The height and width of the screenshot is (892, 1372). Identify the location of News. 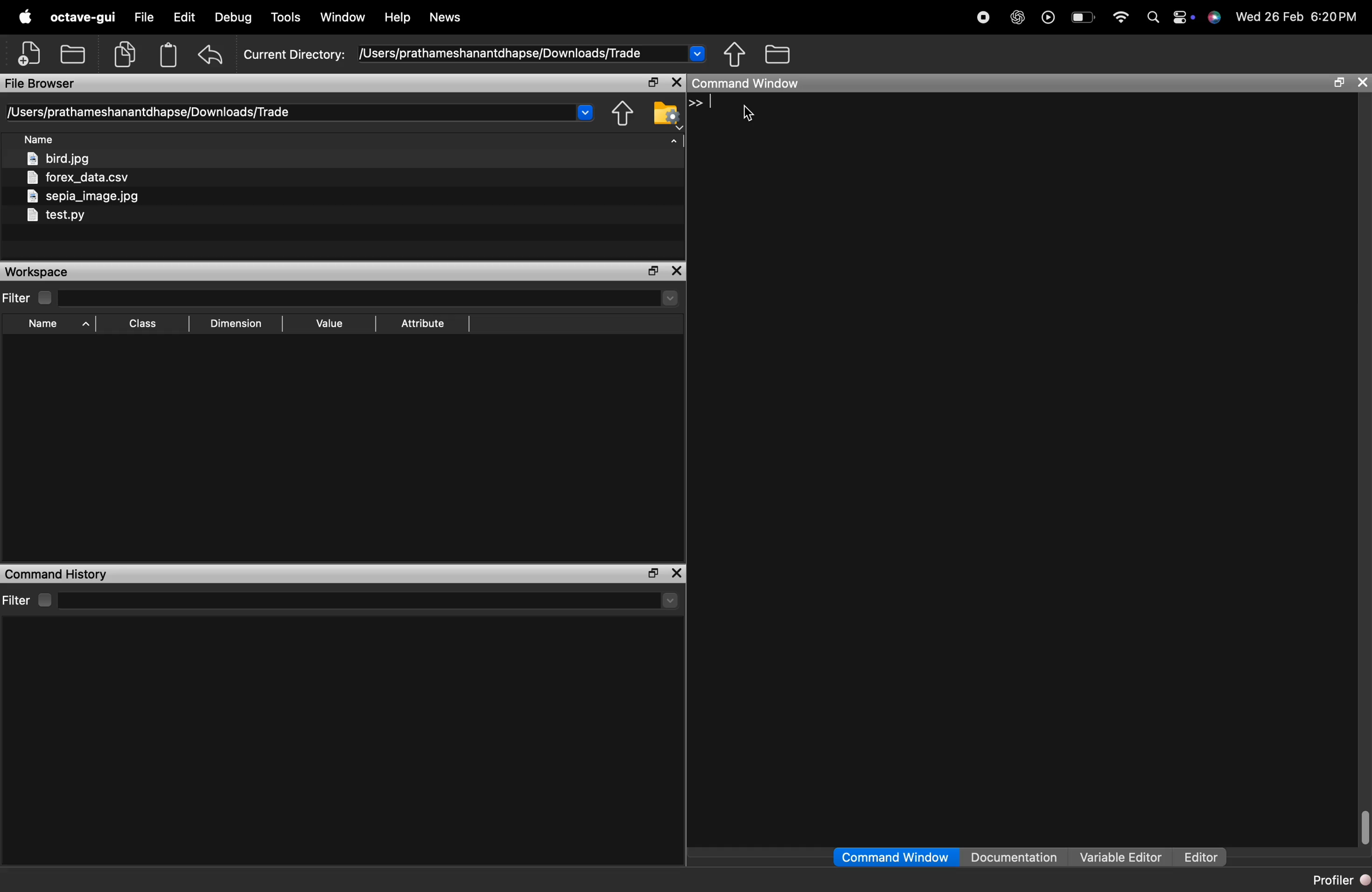
(446, 17).